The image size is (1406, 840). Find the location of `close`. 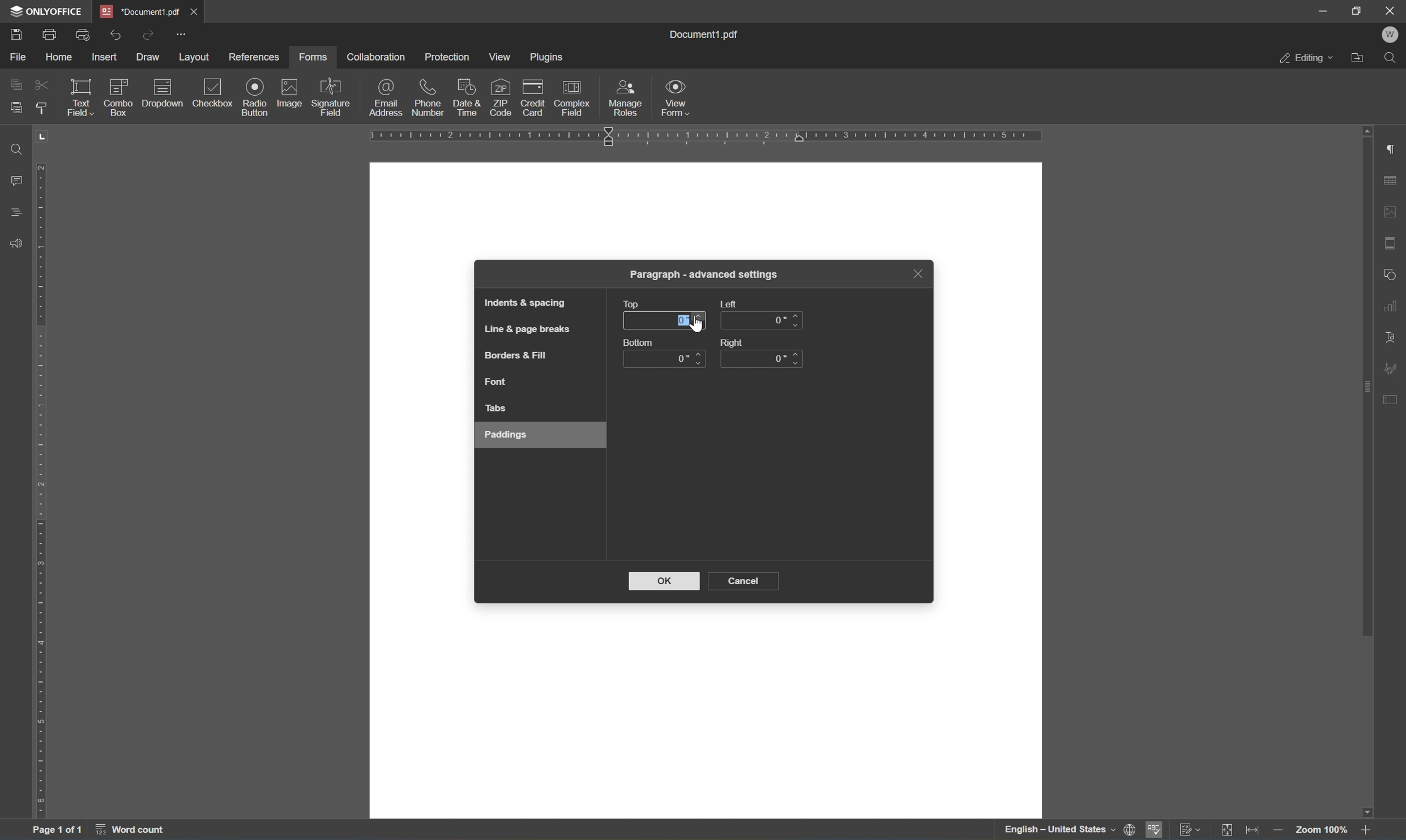

close is located at coordinates (195, 11).